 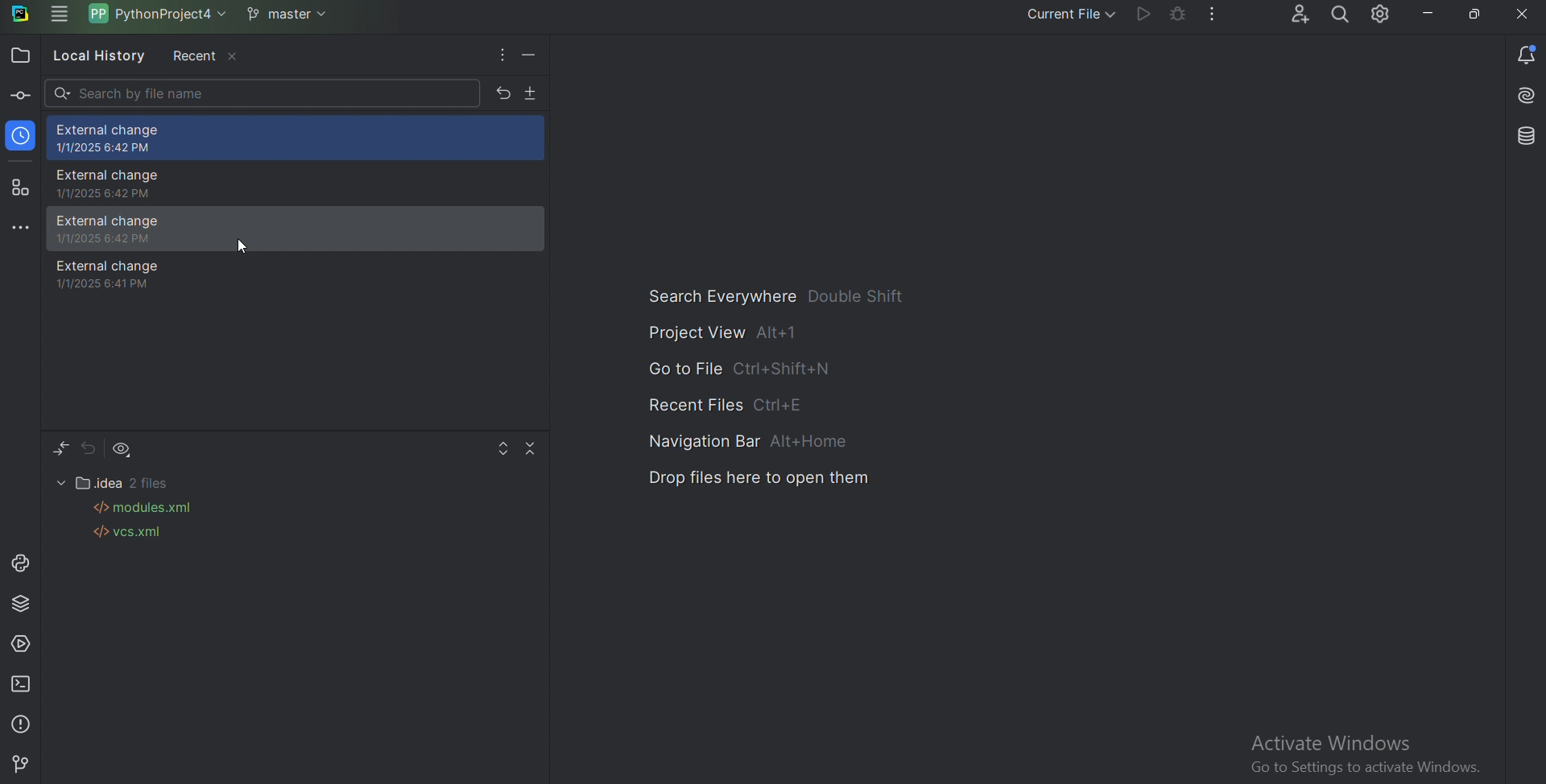 What do you see at coordinates (205, 56) in the screenshot?
I see `Recent` at bounding box center [205, 56].